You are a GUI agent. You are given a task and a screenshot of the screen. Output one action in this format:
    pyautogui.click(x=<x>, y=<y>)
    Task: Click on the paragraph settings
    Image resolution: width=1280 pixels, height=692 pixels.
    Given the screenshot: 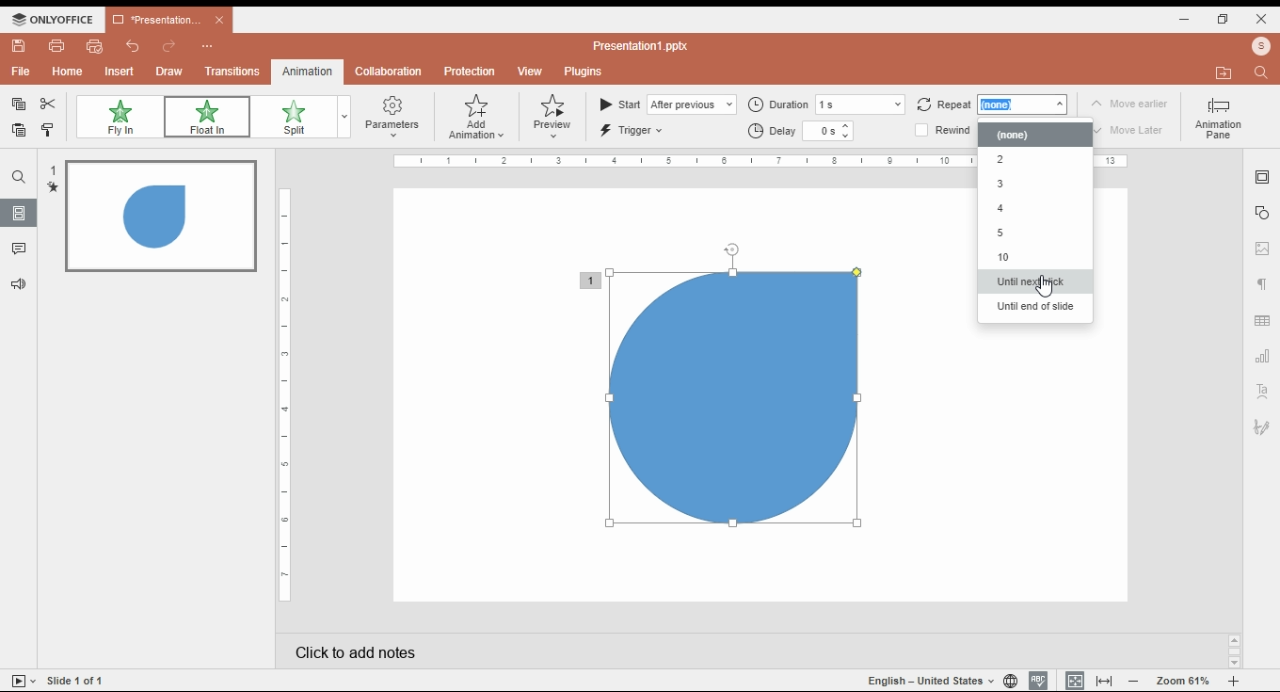 What is the action you would take?
    pyautogui.click(x=1263, y=283)
    